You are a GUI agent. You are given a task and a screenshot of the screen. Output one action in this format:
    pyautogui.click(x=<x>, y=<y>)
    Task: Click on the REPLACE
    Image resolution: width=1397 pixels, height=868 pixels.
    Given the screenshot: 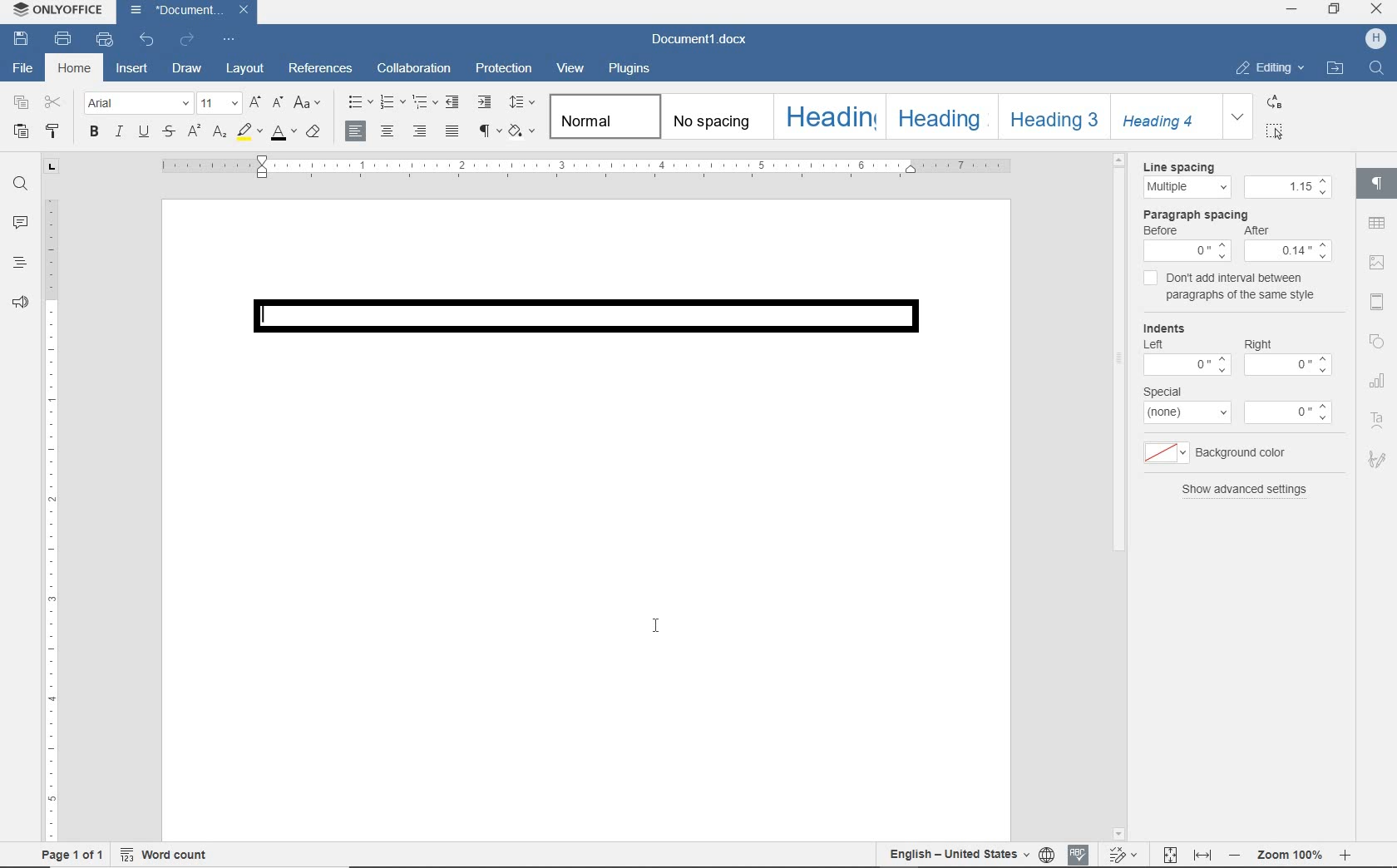 What is the action you would take?
    pyautogui.click(x=1274, y=102)
    